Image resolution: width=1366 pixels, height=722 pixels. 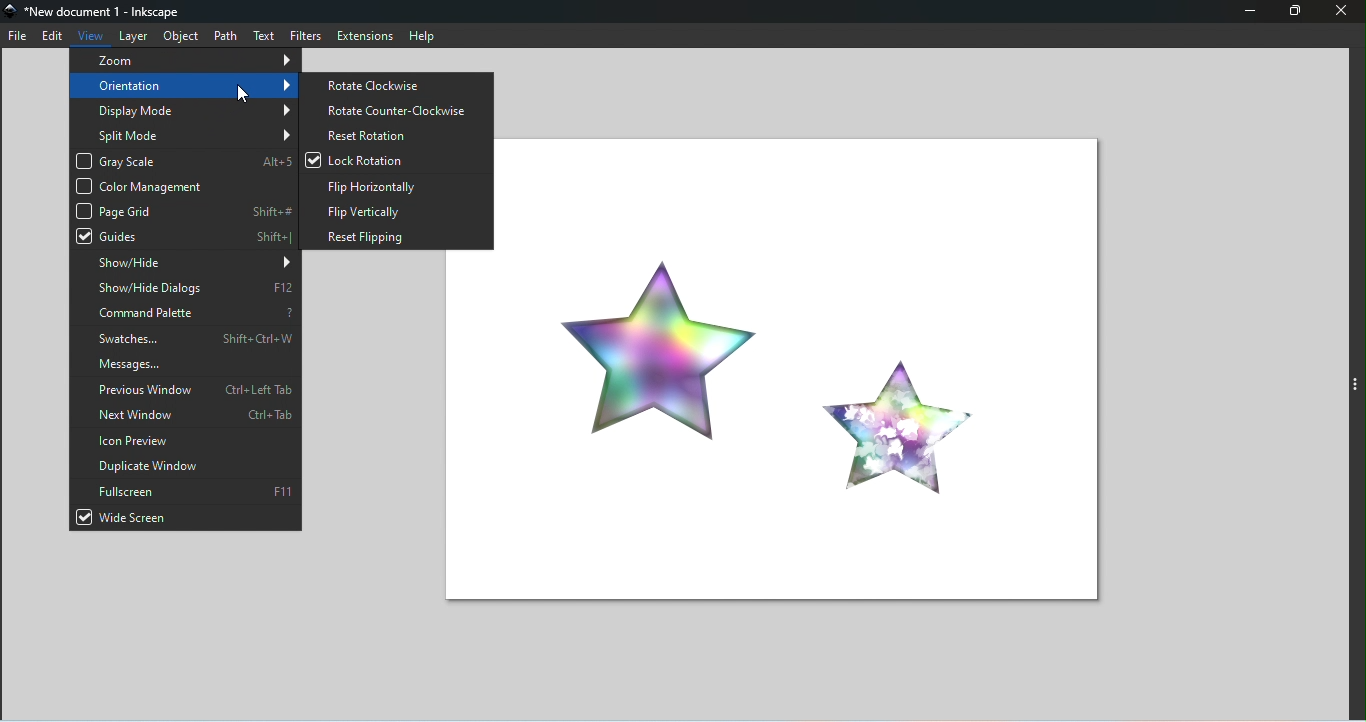 What do you see at coordinates (810, 366) in the screenshot?
I see `Canvas` at bounding box center [810, 366].